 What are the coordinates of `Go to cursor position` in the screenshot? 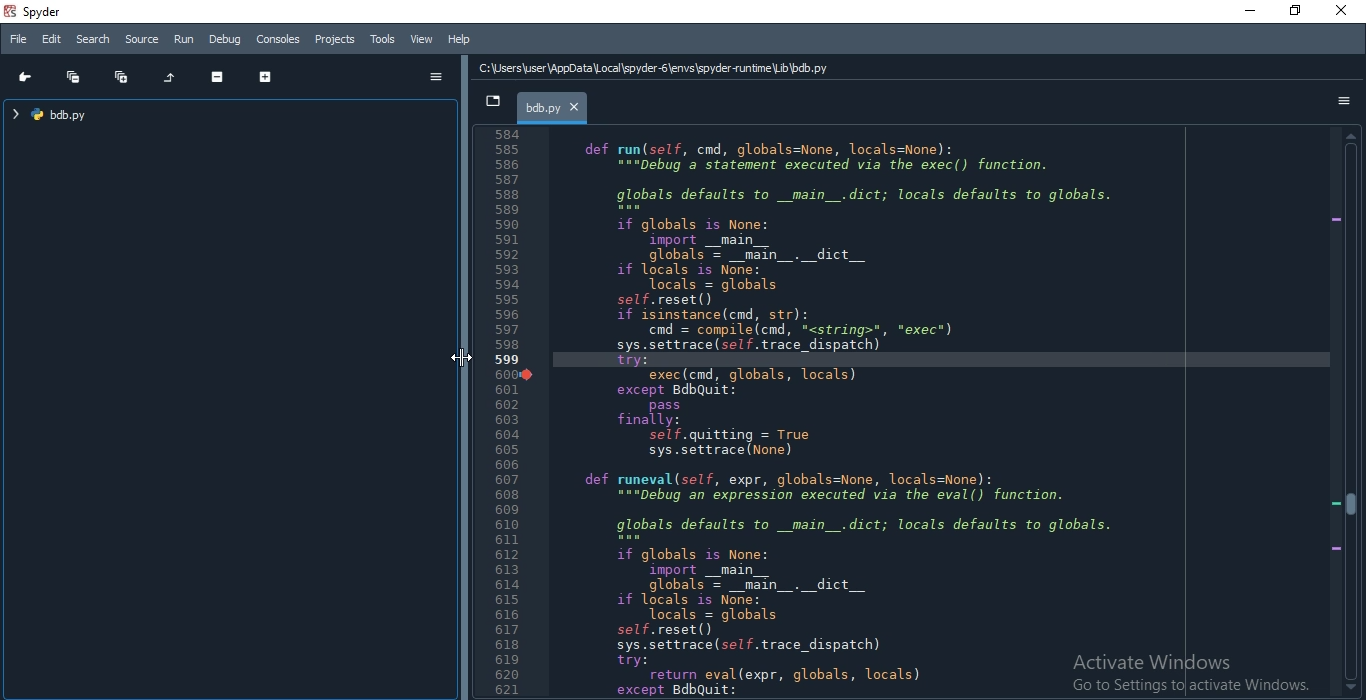 It's located at (26, 77).